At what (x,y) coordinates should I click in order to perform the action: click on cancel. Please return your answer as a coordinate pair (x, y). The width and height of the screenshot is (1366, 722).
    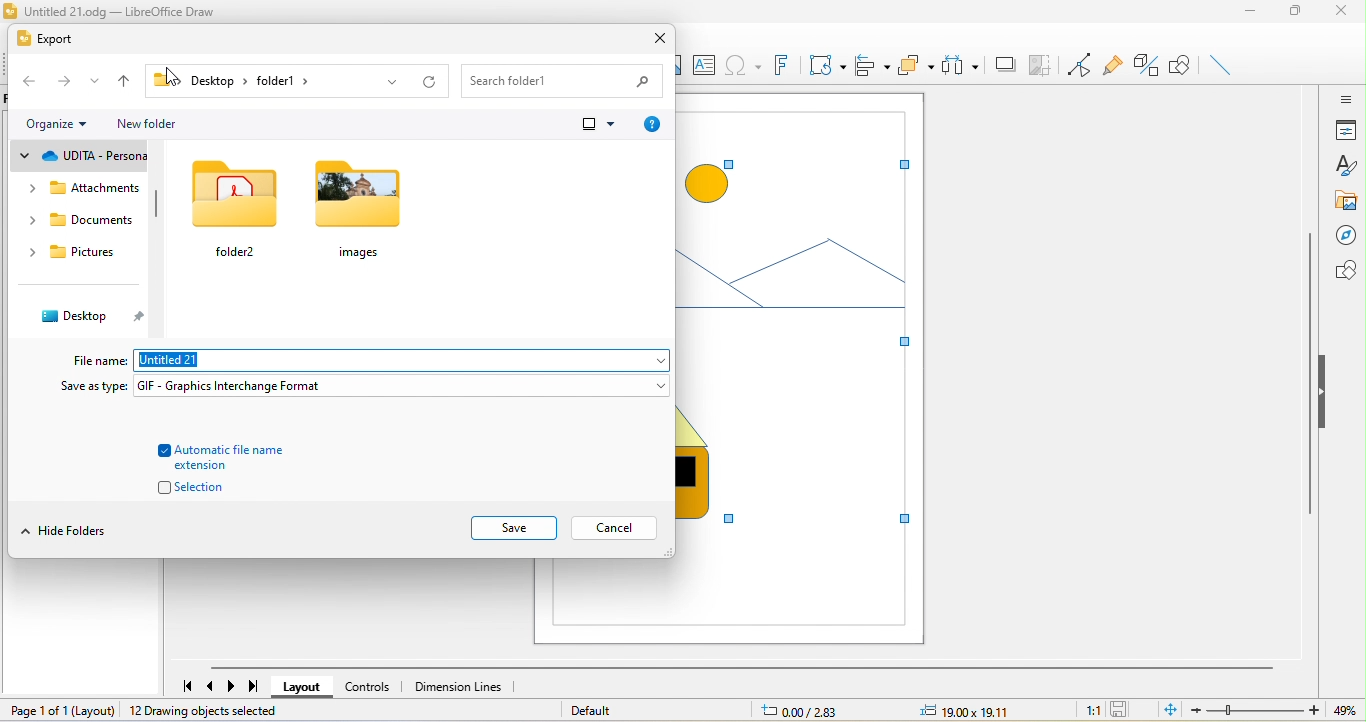
    Looking at the image, I should click on (615, 529).